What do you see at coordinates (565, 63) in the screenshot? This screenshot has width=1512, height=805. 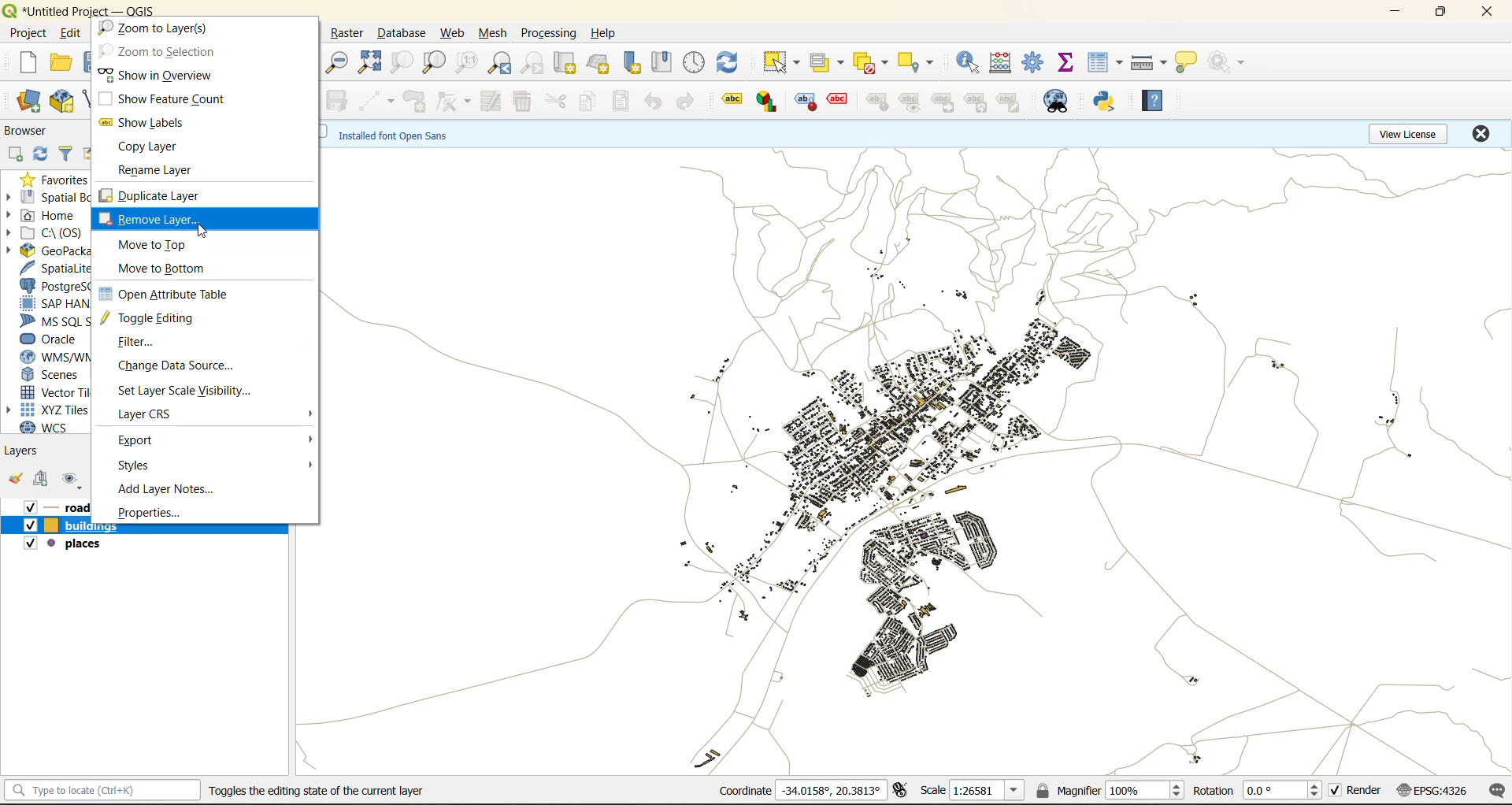 I see `new map view` at bounding box center [565, 63].